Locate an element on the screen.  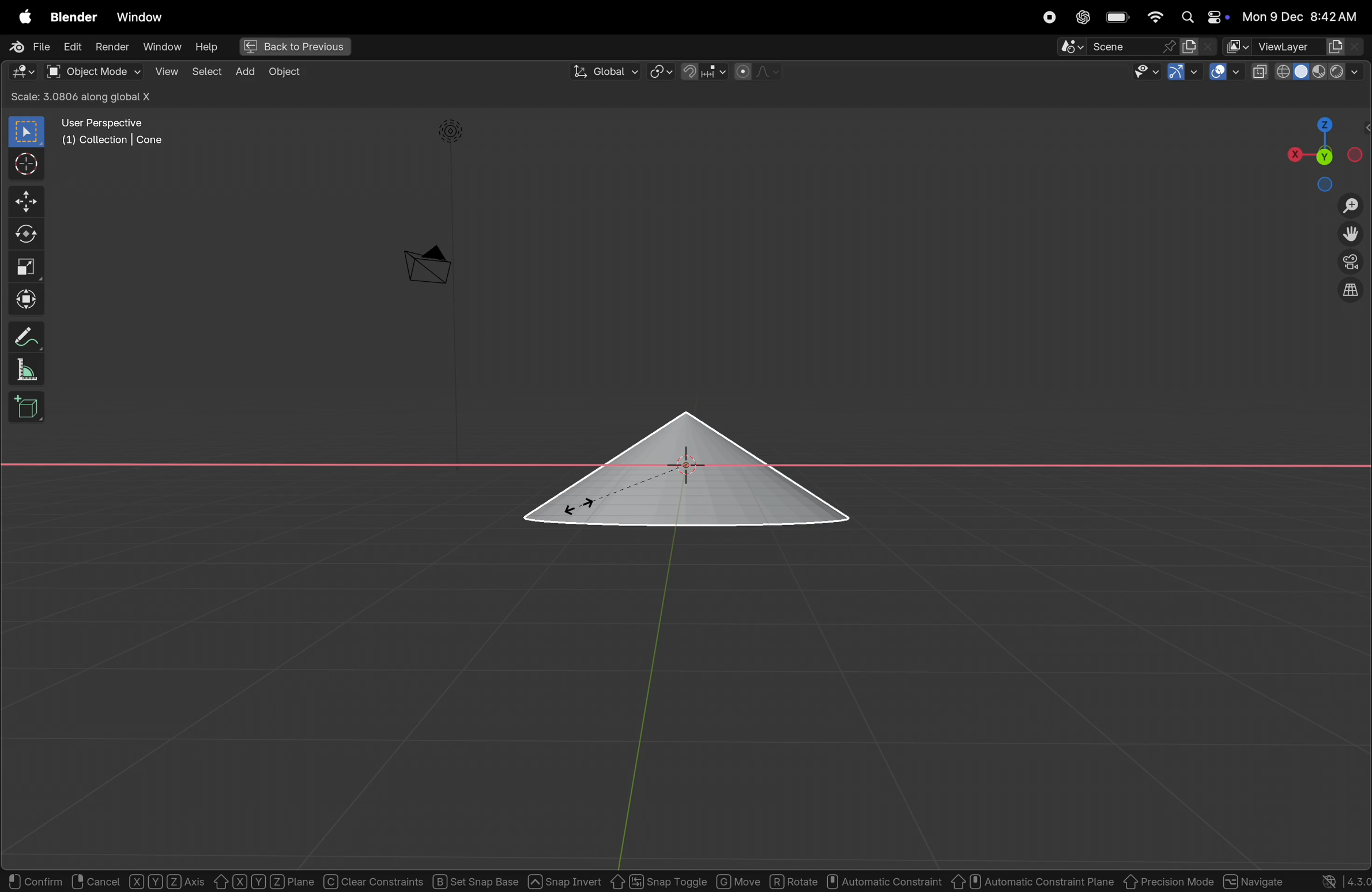
apple menu is located at coordinates (22, 14).